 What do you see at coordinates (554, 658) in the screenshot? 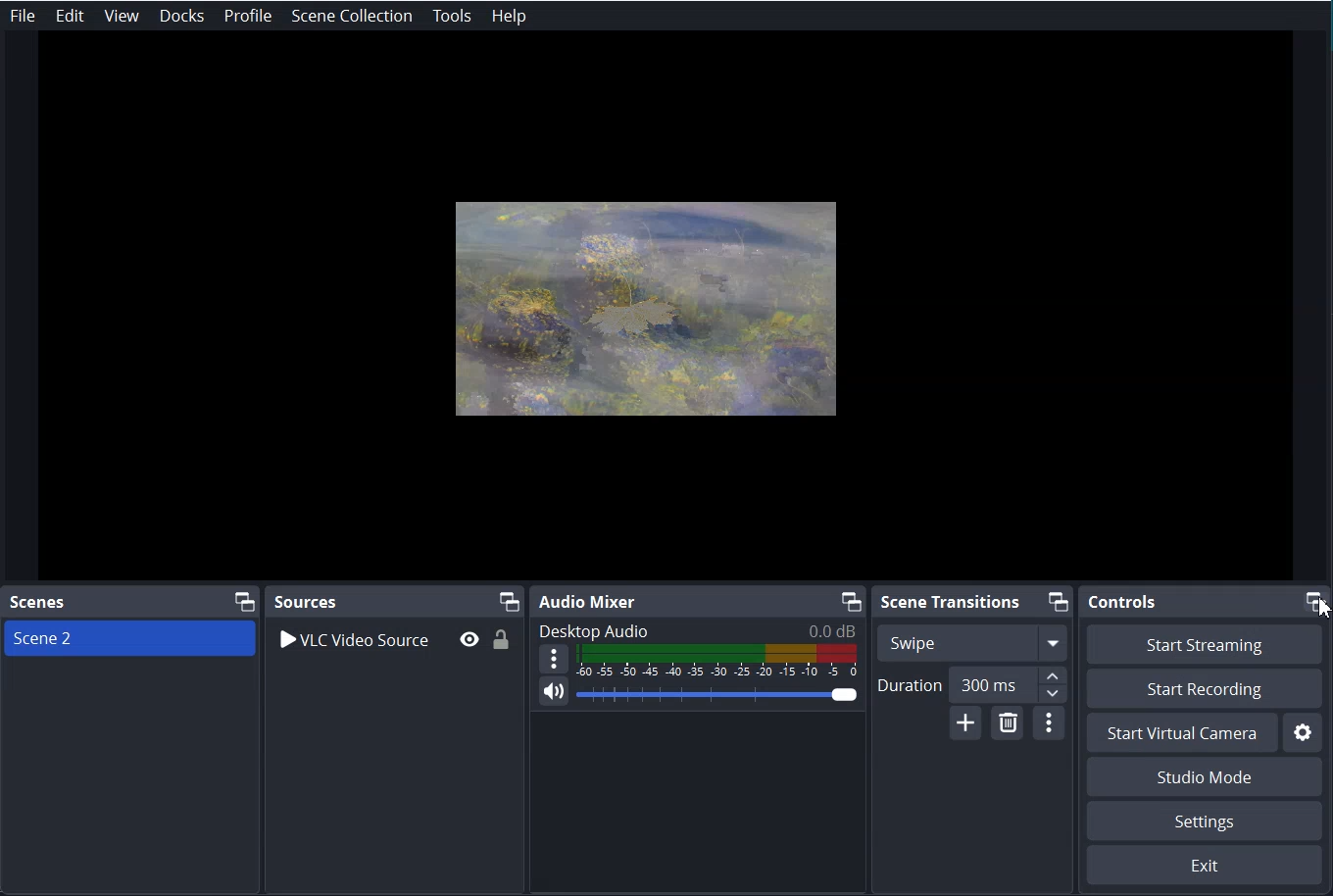
I see `More` at bounding box center [554, 658].